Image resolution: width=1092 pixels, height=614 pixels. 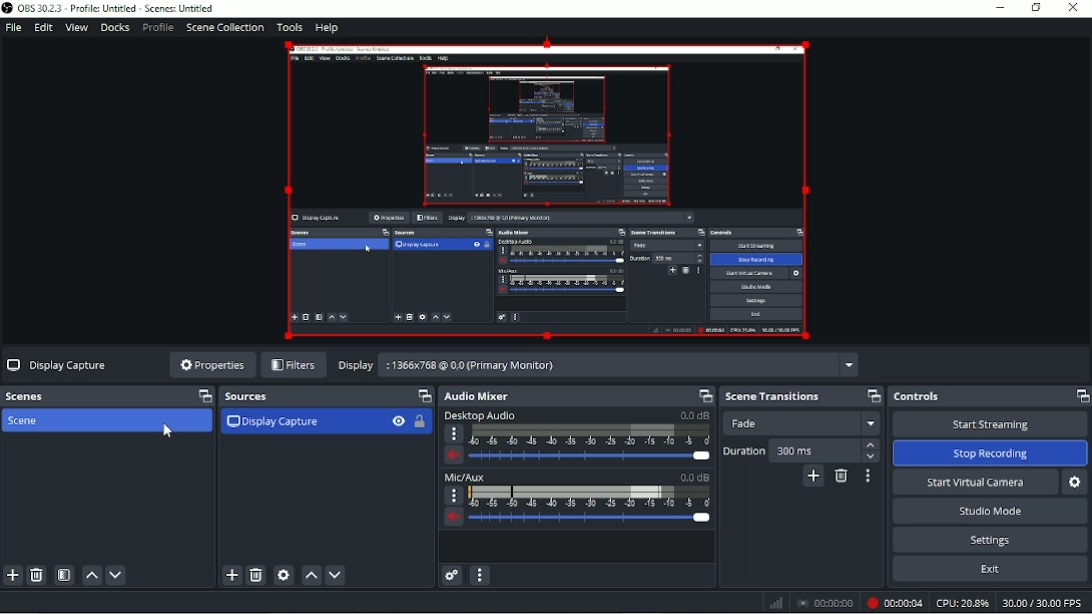 I want to click on Volume, so click(x=453, y=519).